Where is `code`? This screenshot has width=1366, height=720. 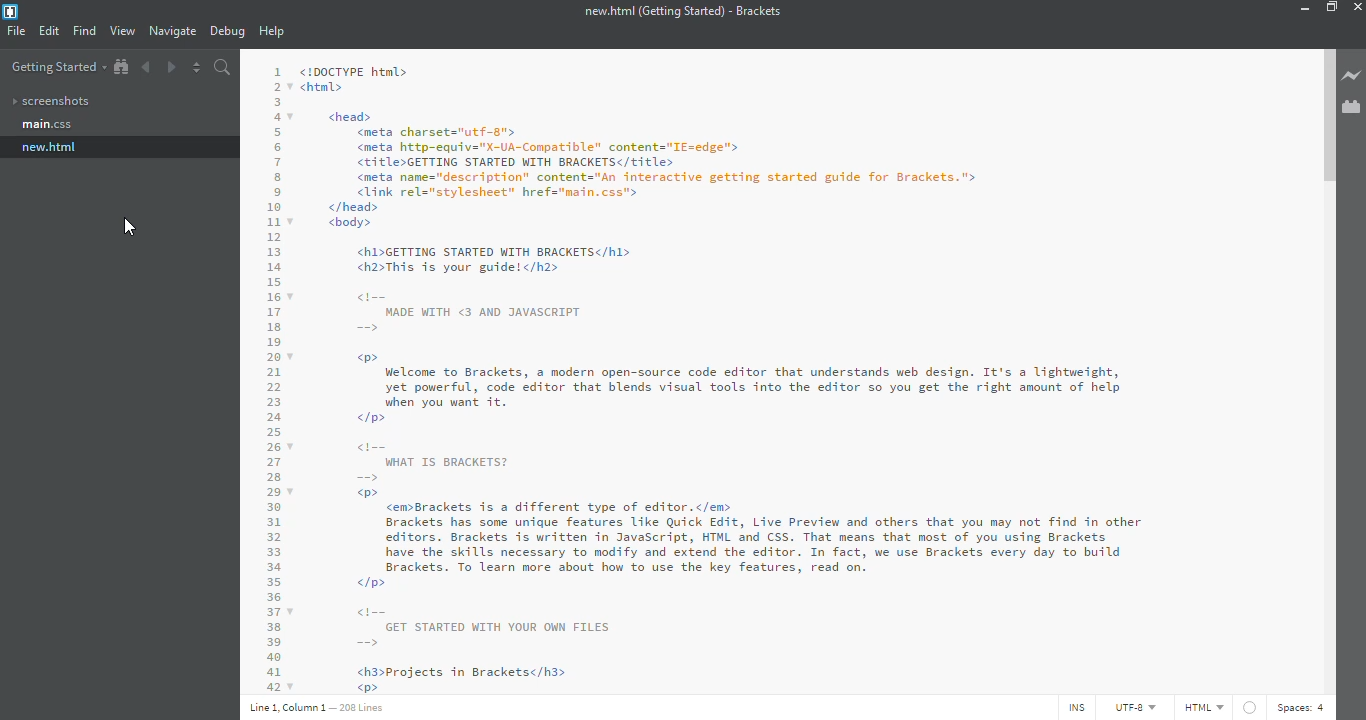
code is located at coordinates (782, 373).